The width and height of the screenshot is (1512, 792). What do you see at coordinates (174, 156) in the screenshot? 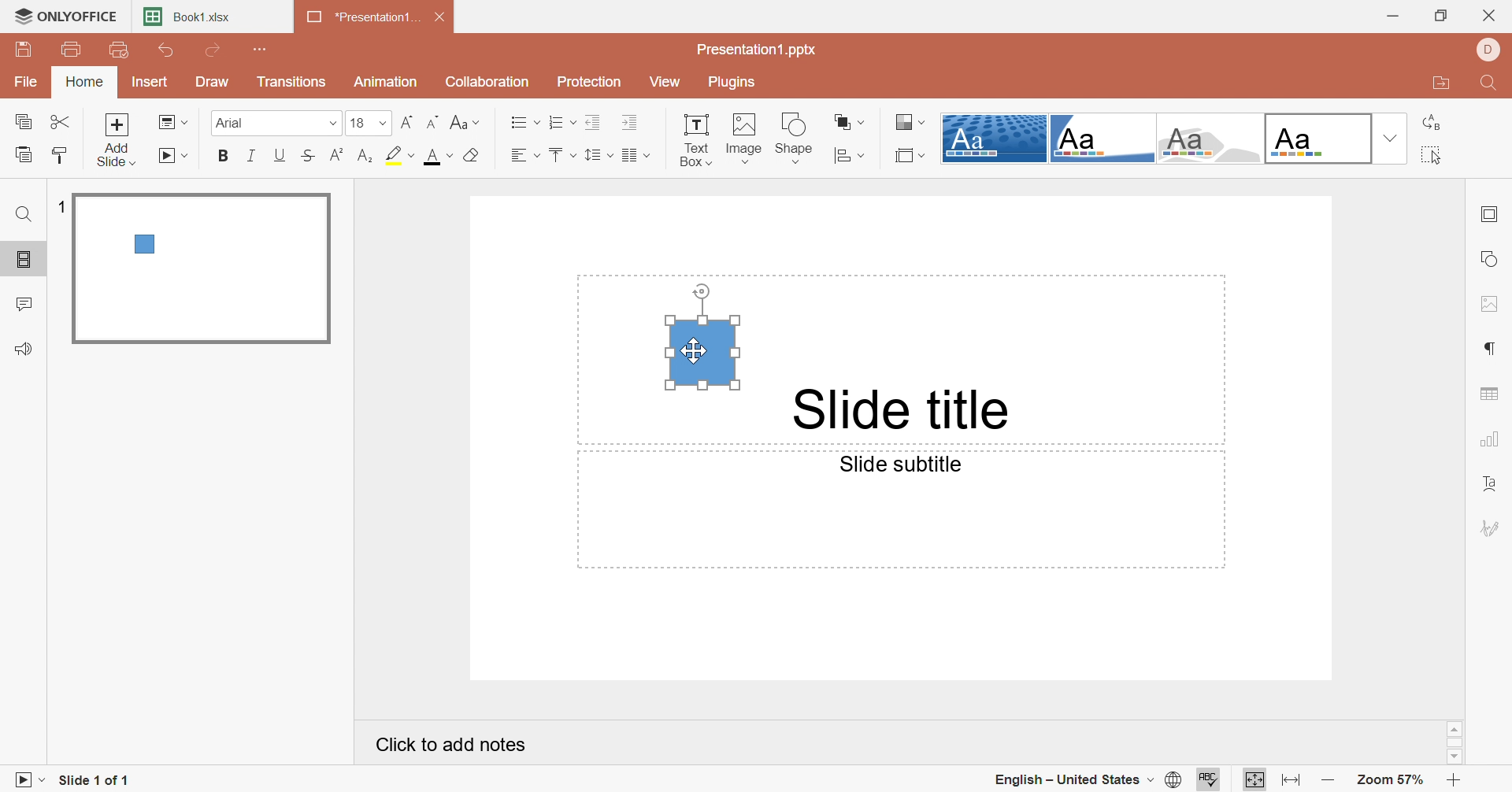
I see `Start slideshow` at bounding box center [174, 156].